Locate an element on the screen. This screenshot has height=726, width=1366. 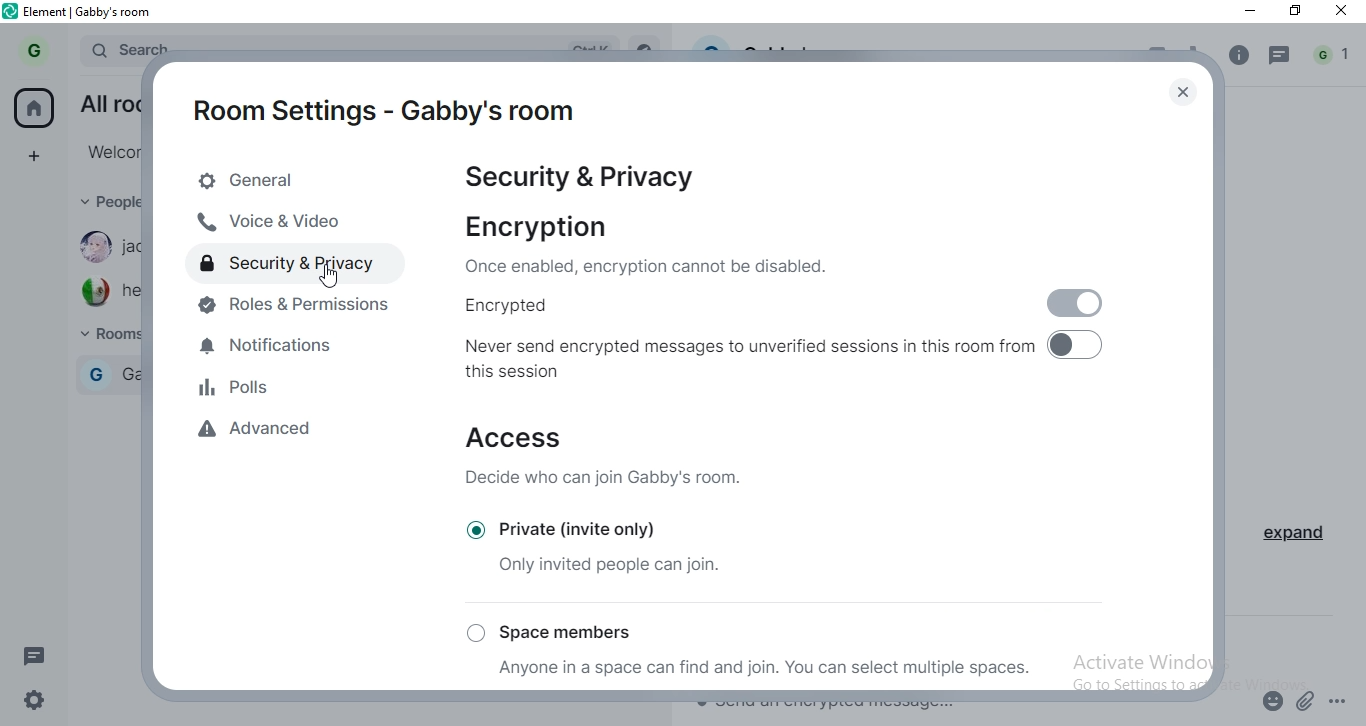
message is located at coordinates (1280, 59).